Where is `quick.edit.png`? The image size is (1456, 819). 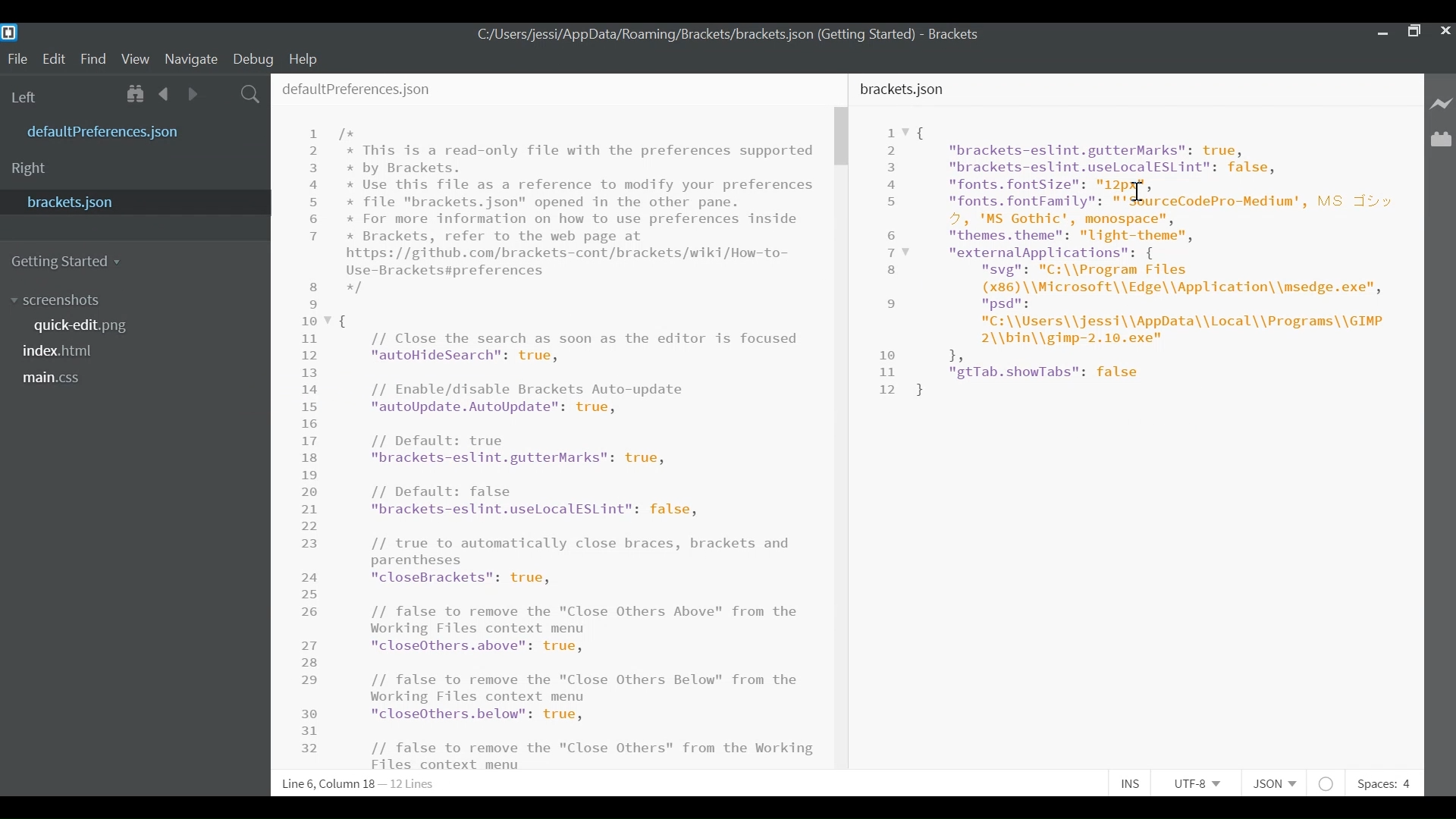 quick.edit.png is located at coordinates (83, 326).